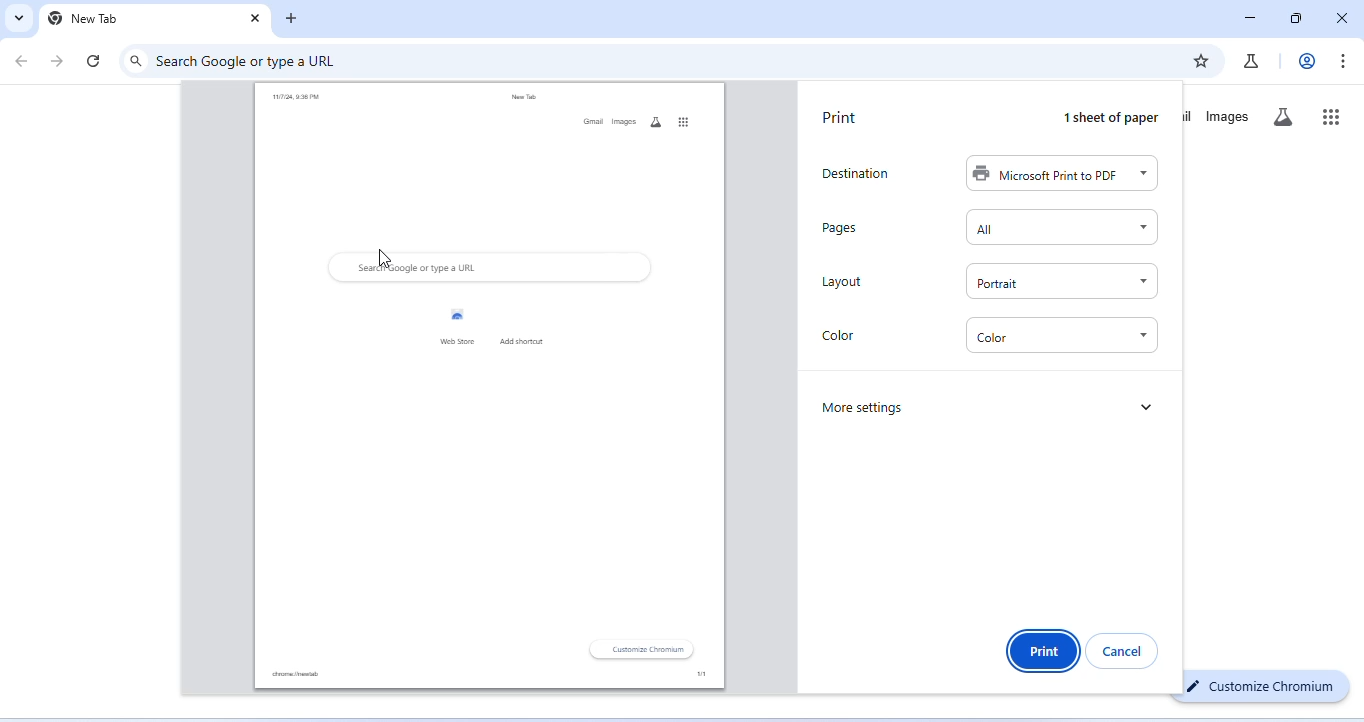  What do you see at coordinates (868, 408) in the screenshot?
I see `more settings` at bounding box center [868, 408].